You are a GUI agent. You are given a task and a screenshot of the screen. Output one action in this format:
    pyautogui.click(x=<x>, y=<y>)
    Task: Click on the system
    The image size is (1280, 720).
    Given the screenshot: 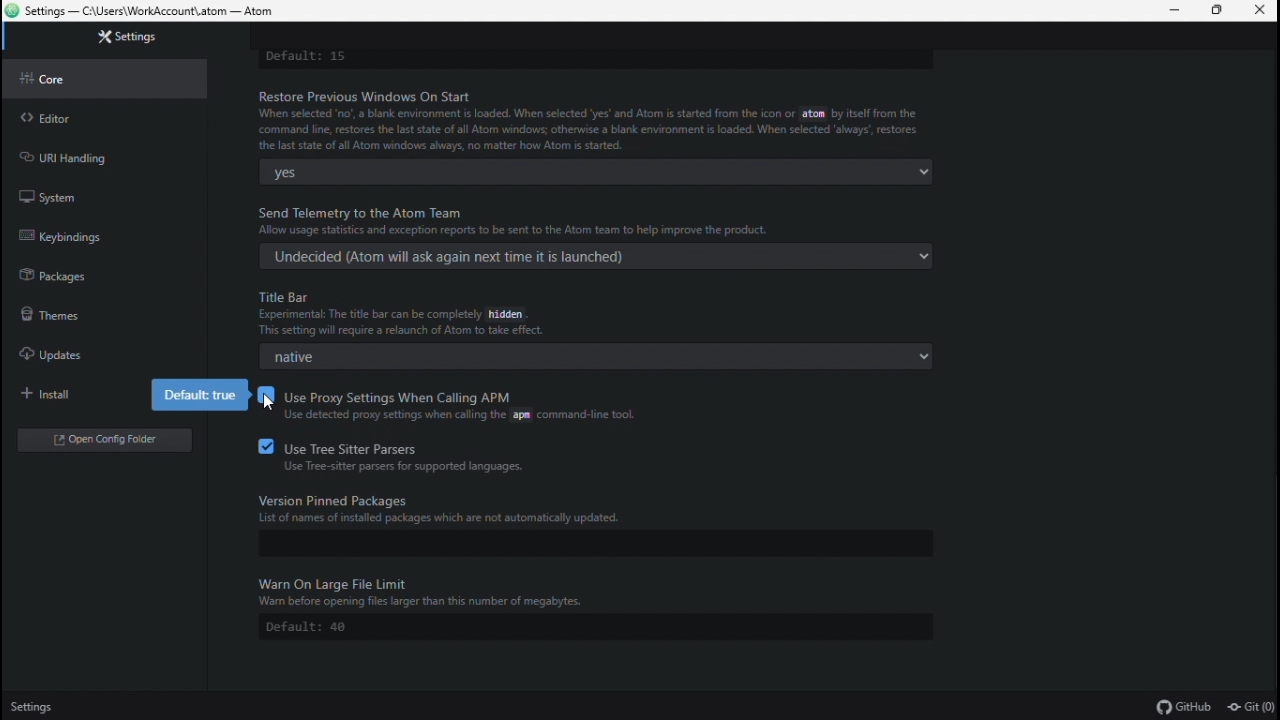 What is the action you would take?
    pyautogui.click(x=83, y=194)
    